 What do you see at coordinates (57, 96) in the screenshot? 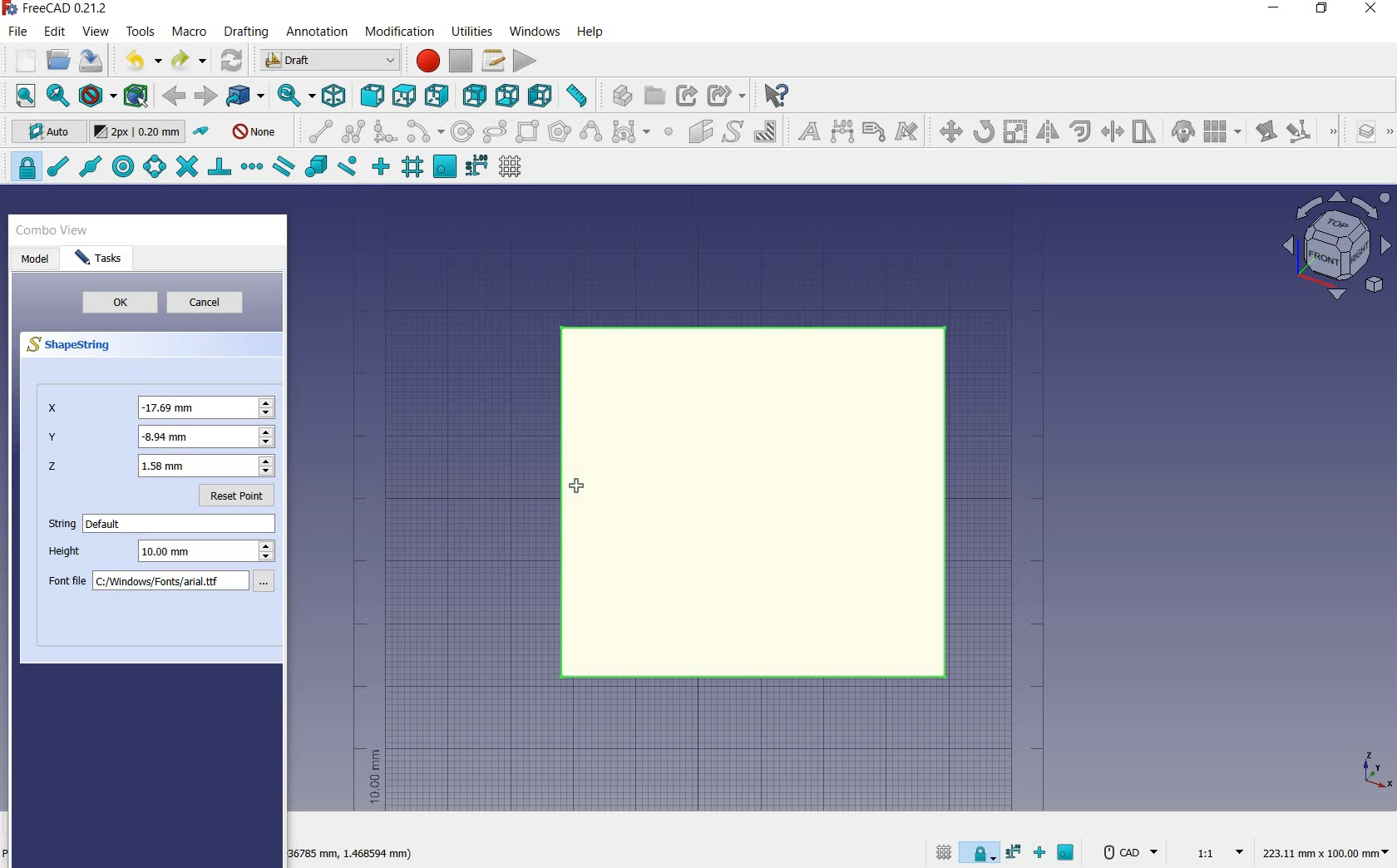
I see `fit selection` at bounding box center [57, 96].